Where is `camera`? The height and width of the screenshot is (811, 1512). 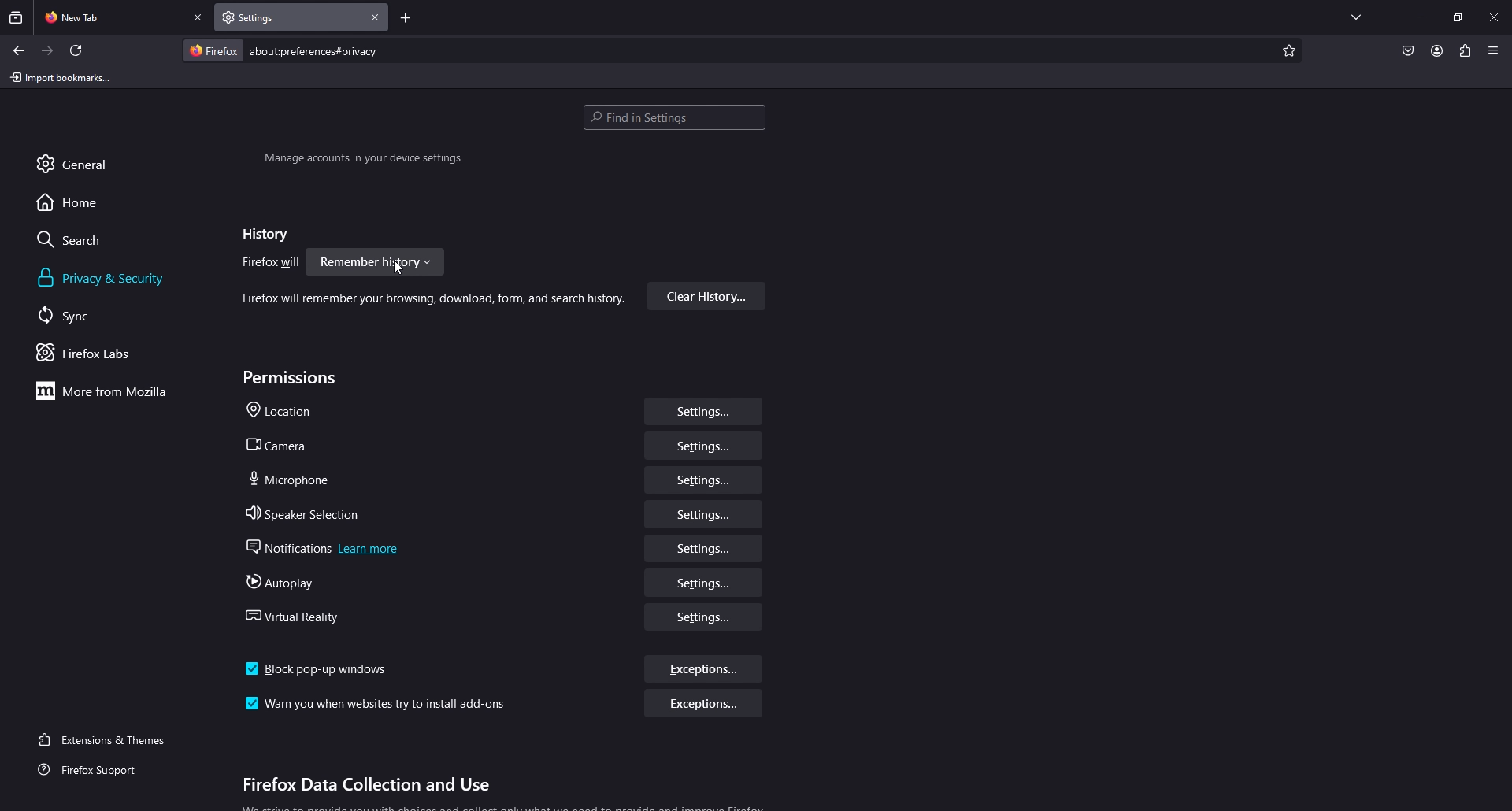 camera is located at coordinates (286, 446).